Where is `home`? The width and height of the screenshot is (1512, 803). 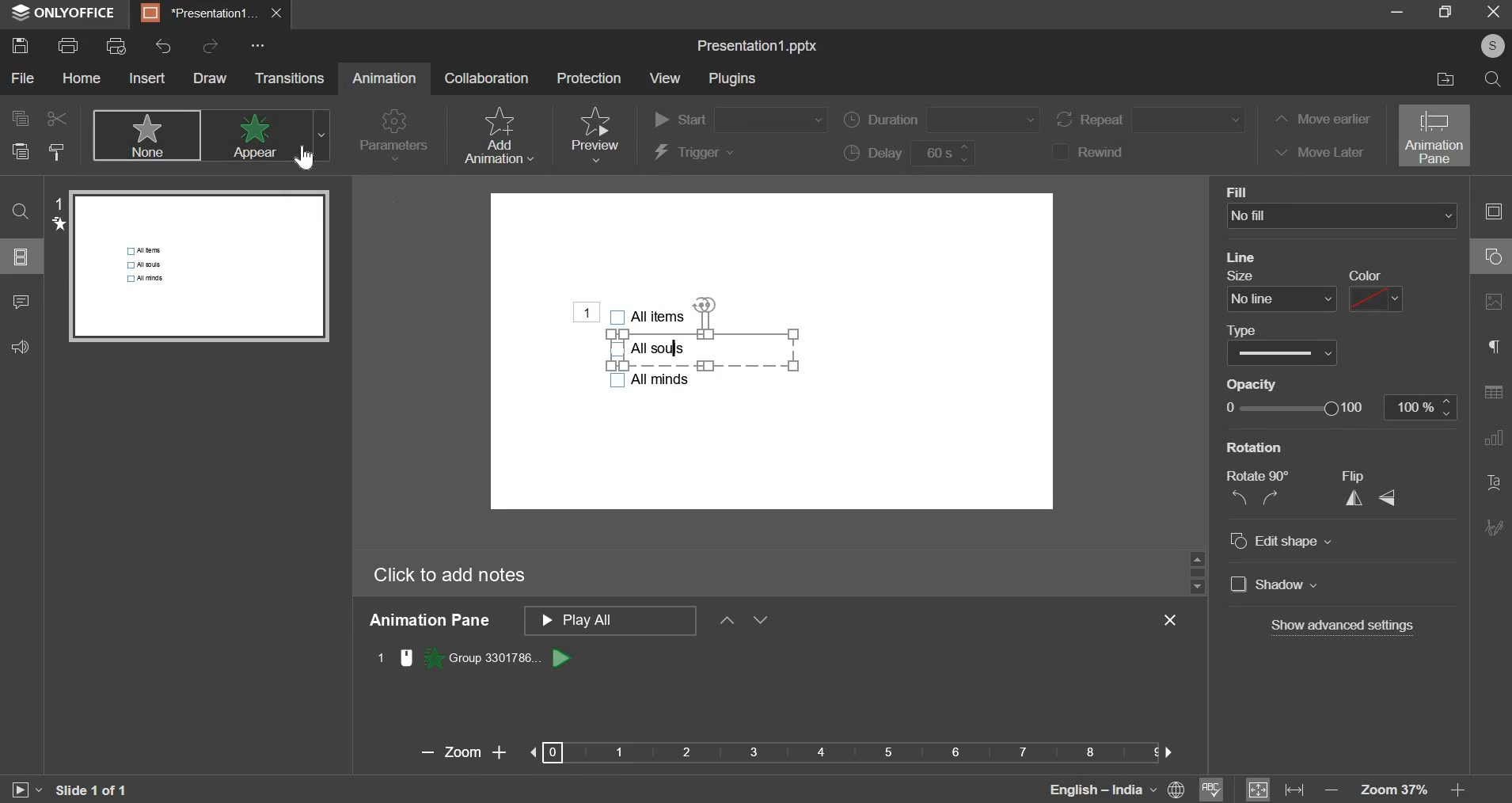
home is located at coordinates (82, 78).